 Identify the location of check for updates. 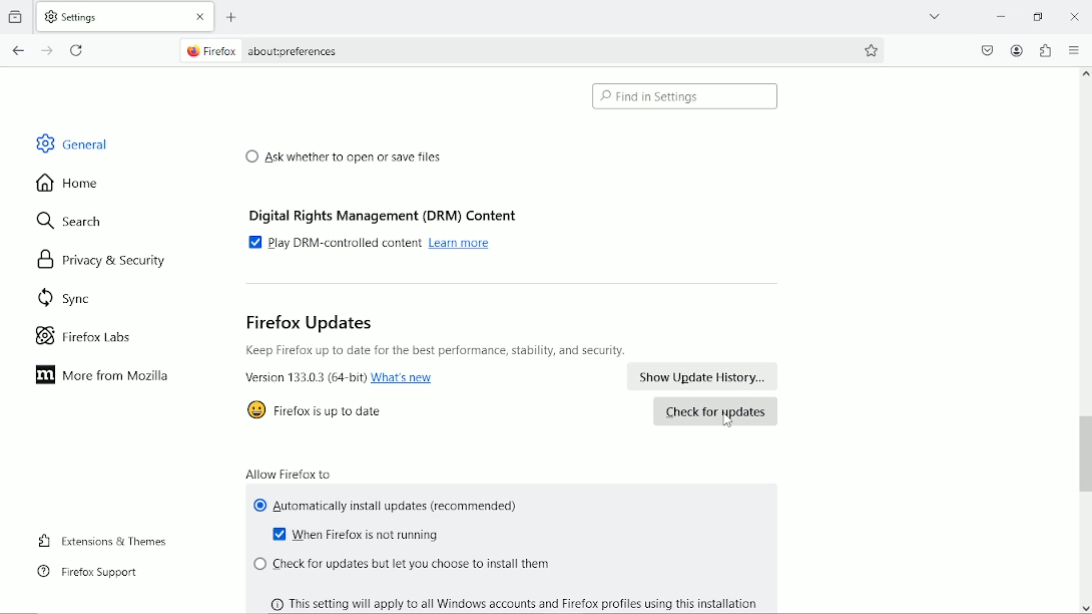
(715, 412).